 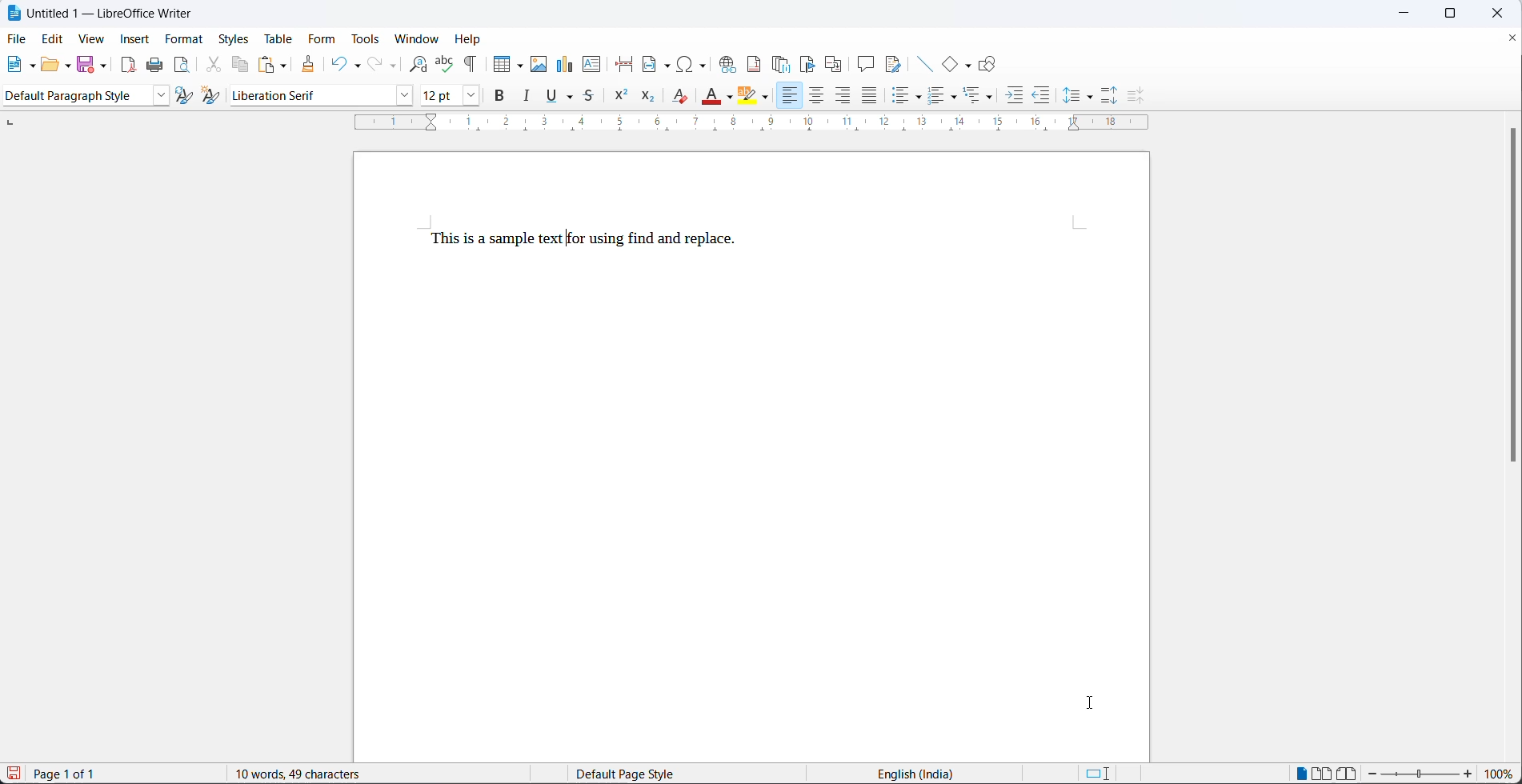 What do you see at coordinates (893, 64) in the screenshot?
I see `show track changes functions` at bounding box center [893, 64].